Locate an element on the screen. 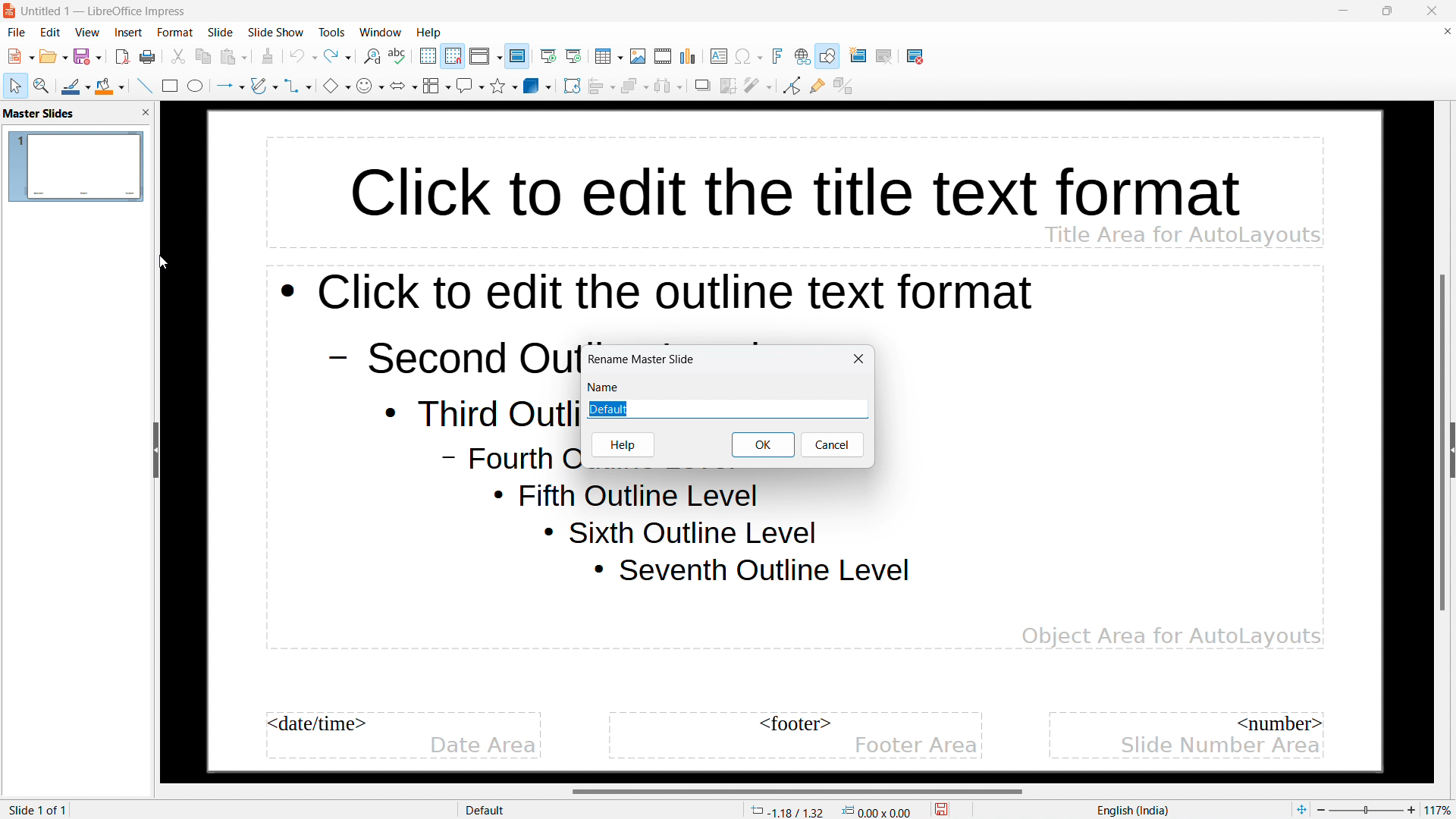  zoom and pan is located at coordinates (42, 85).